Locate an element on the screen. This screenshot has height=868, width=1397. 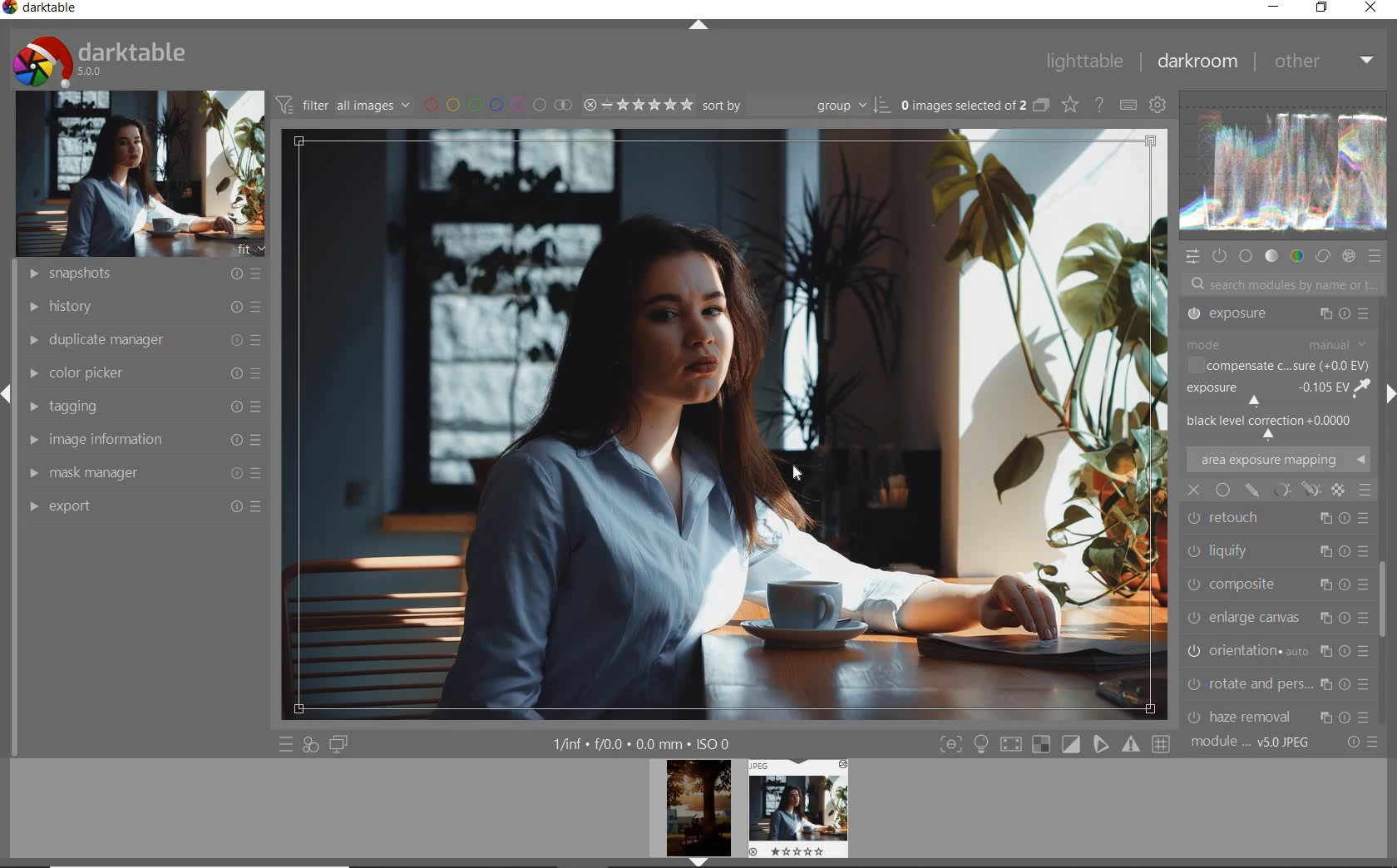
QUICK ACCESS PANEL is located at coordinates (1192, 257).